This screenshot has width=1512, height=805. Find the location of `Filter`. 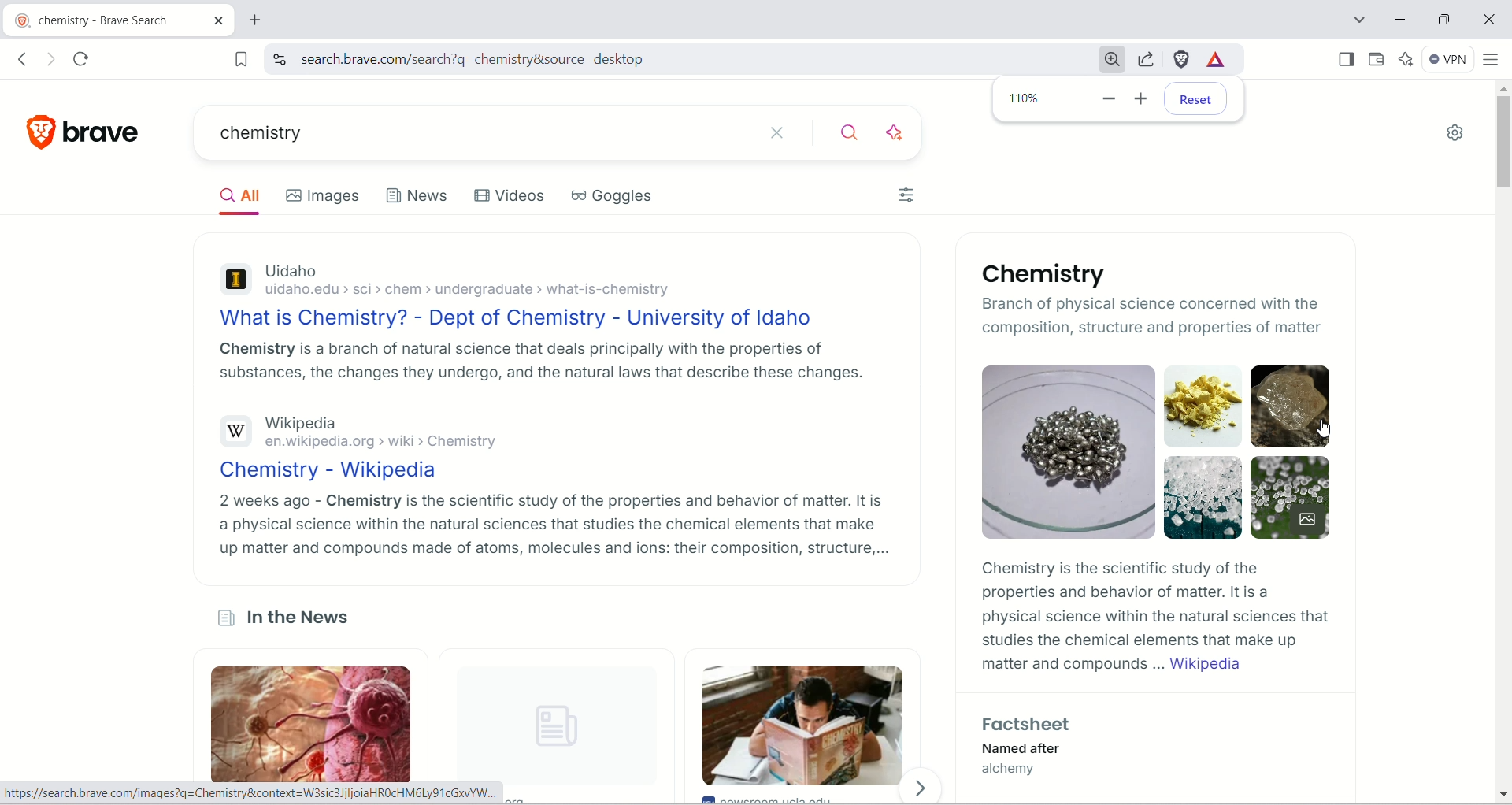

Filter is located at coordinates (910, 195).